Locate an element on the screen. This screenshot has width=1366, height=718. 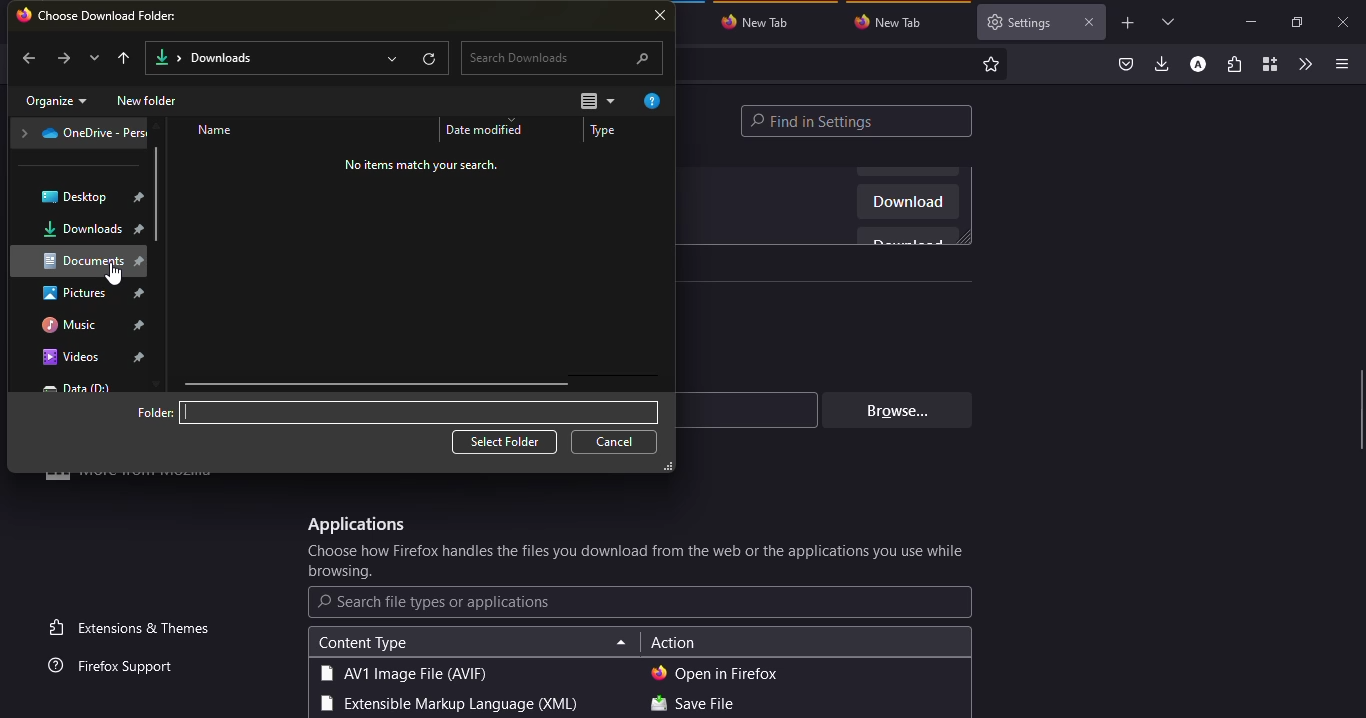
choose is located at coordinates (111, 15).